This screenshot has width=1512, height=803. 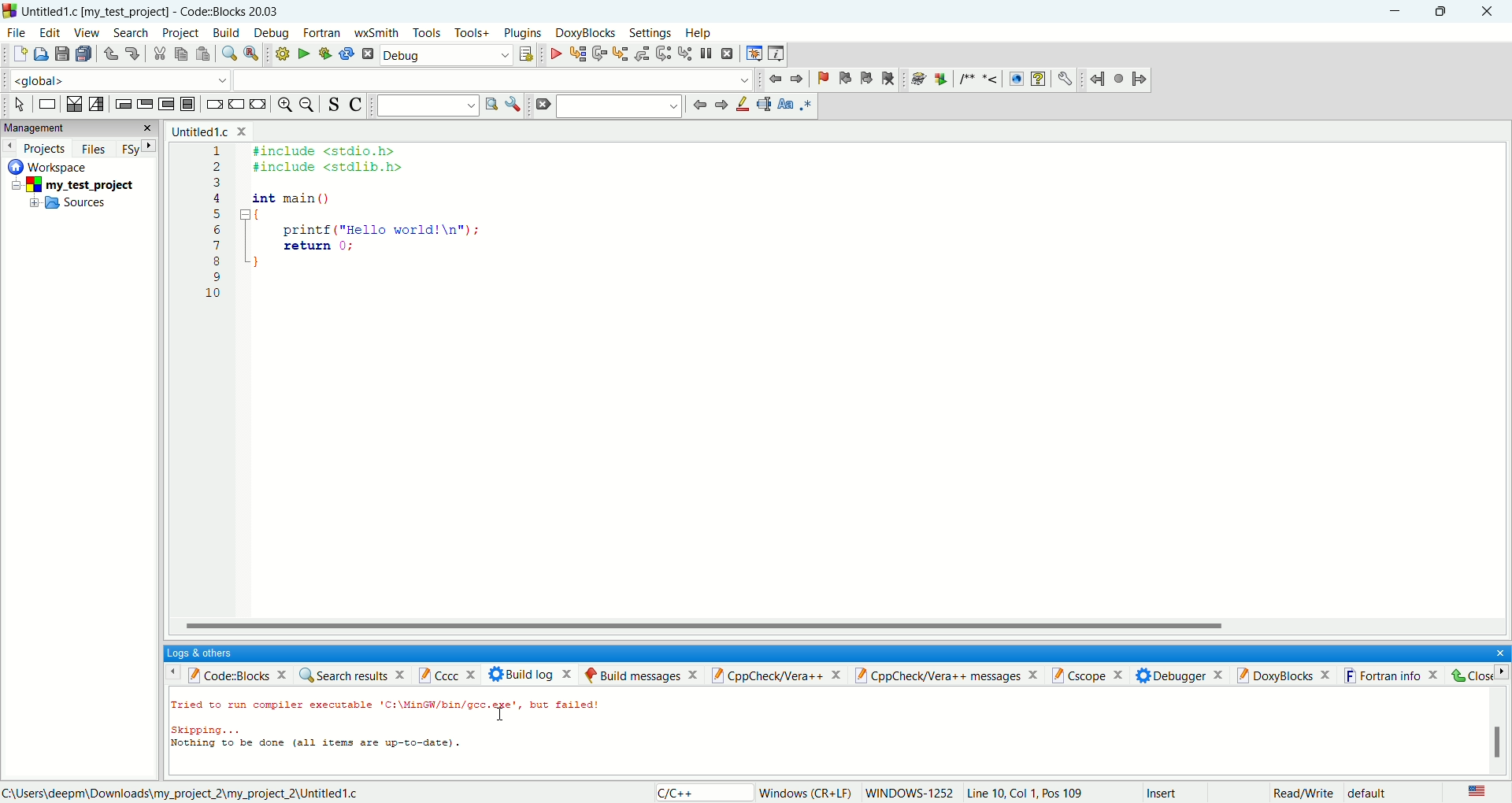 What do you see at coordinates (367, 54) in the screenshot?
I see `abort` at bounding box center [367, 54].